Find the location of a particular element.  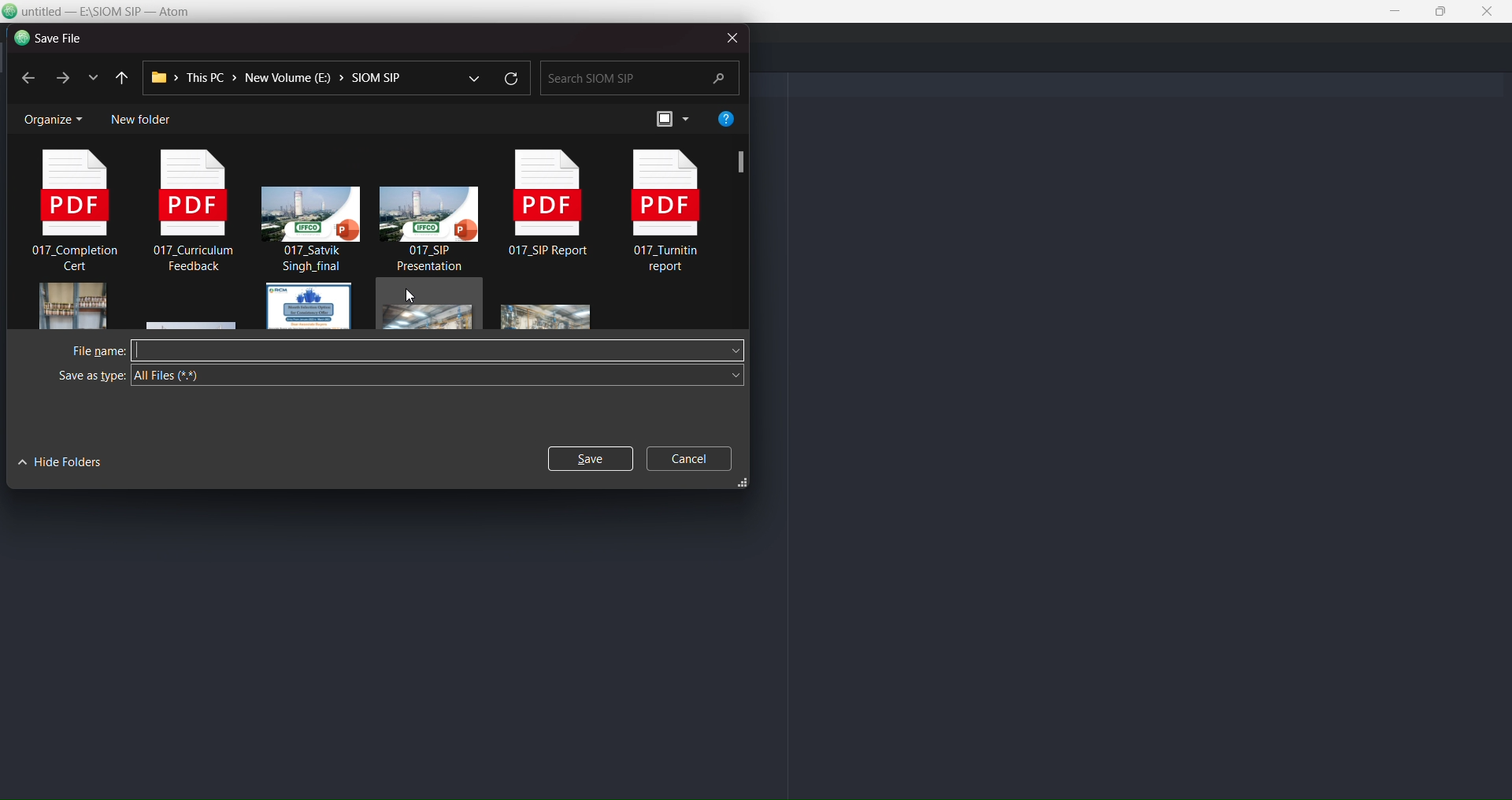

path is located at coordinates (287, 76).